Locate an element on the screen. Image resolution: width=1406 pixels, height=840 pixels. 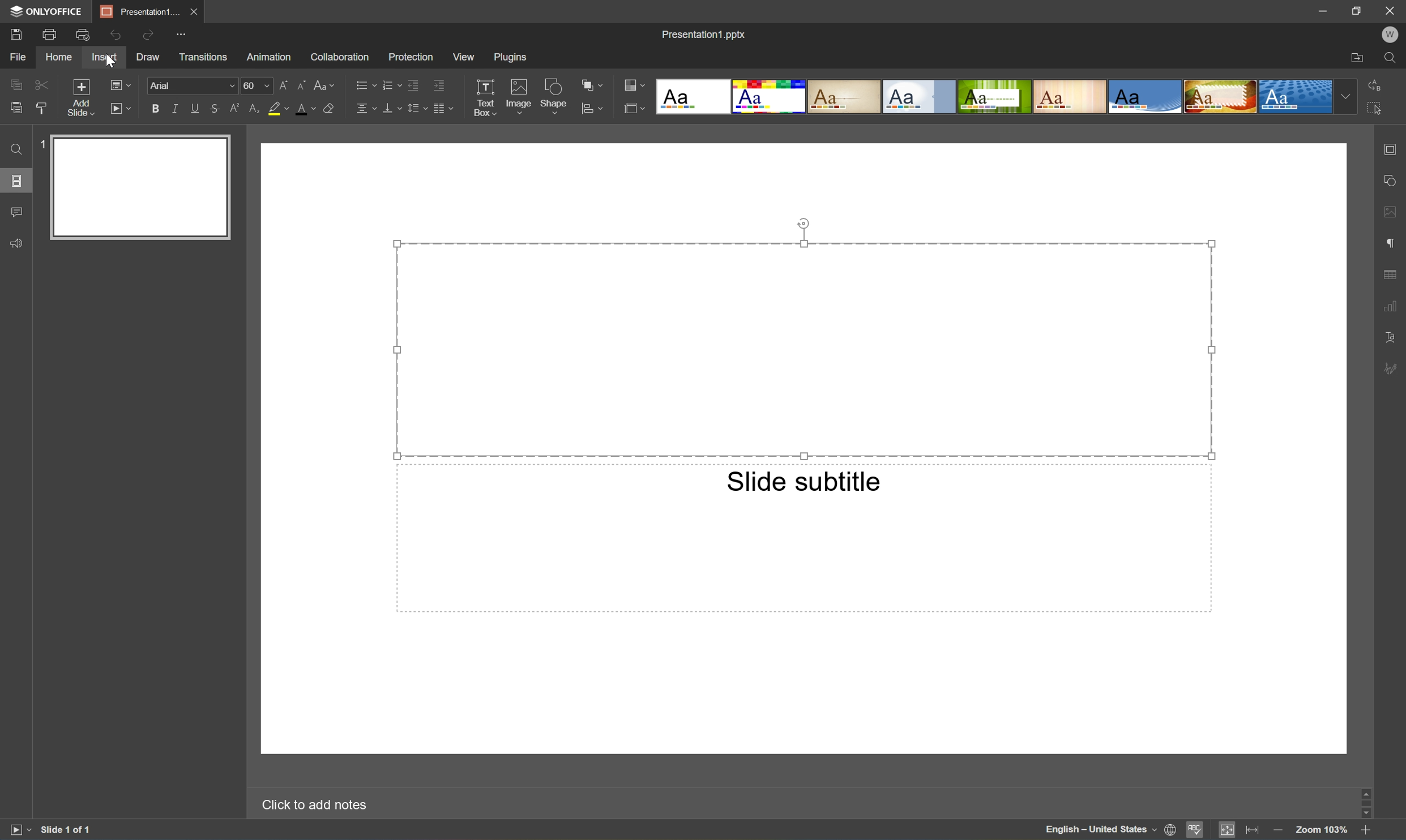
Image settings is located at coordinates (1395, 213).